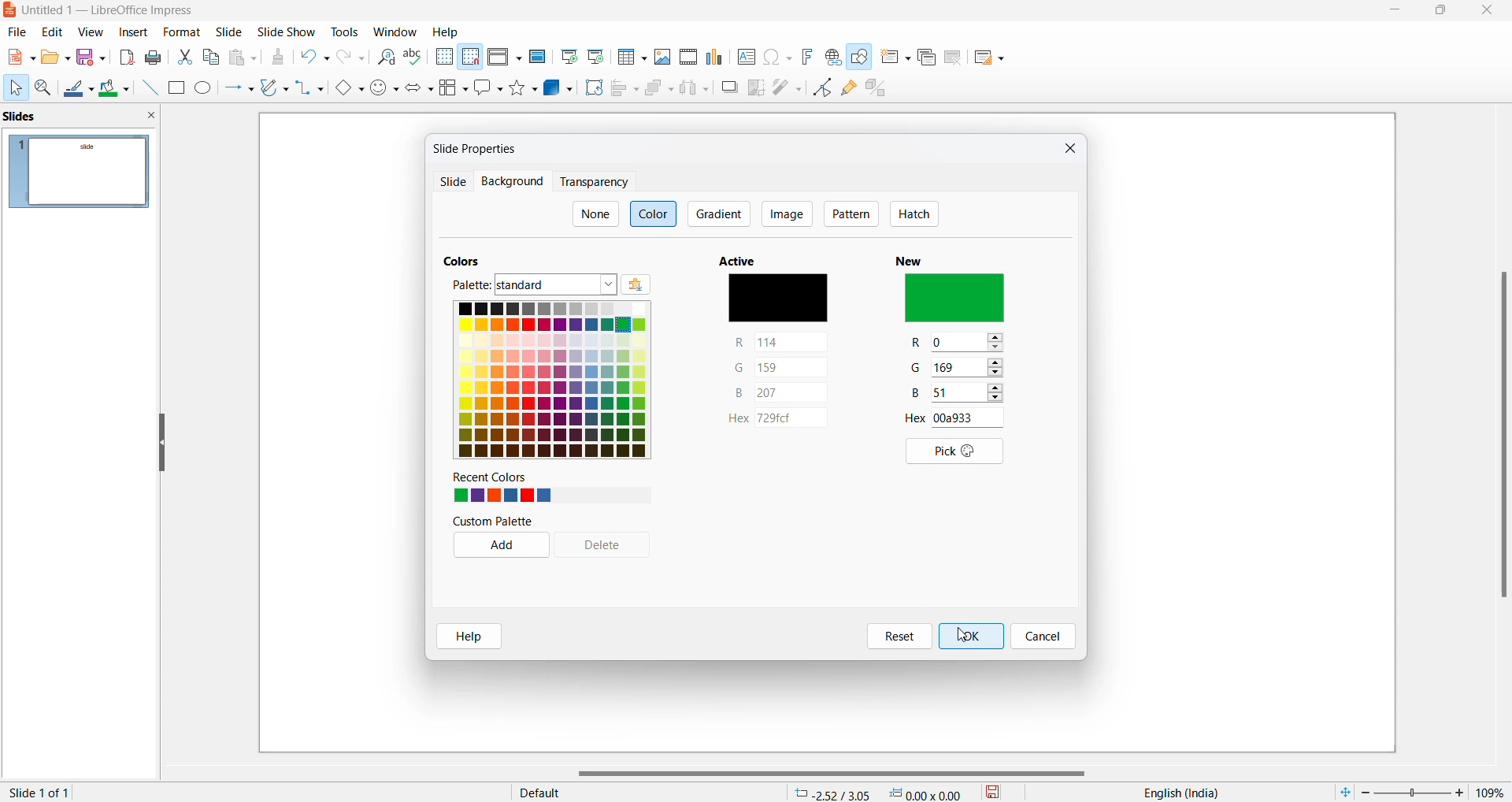  What do you see at coordinates (451, 184) in the screenshot?
I see `slide` at bounding box center [451, 184].